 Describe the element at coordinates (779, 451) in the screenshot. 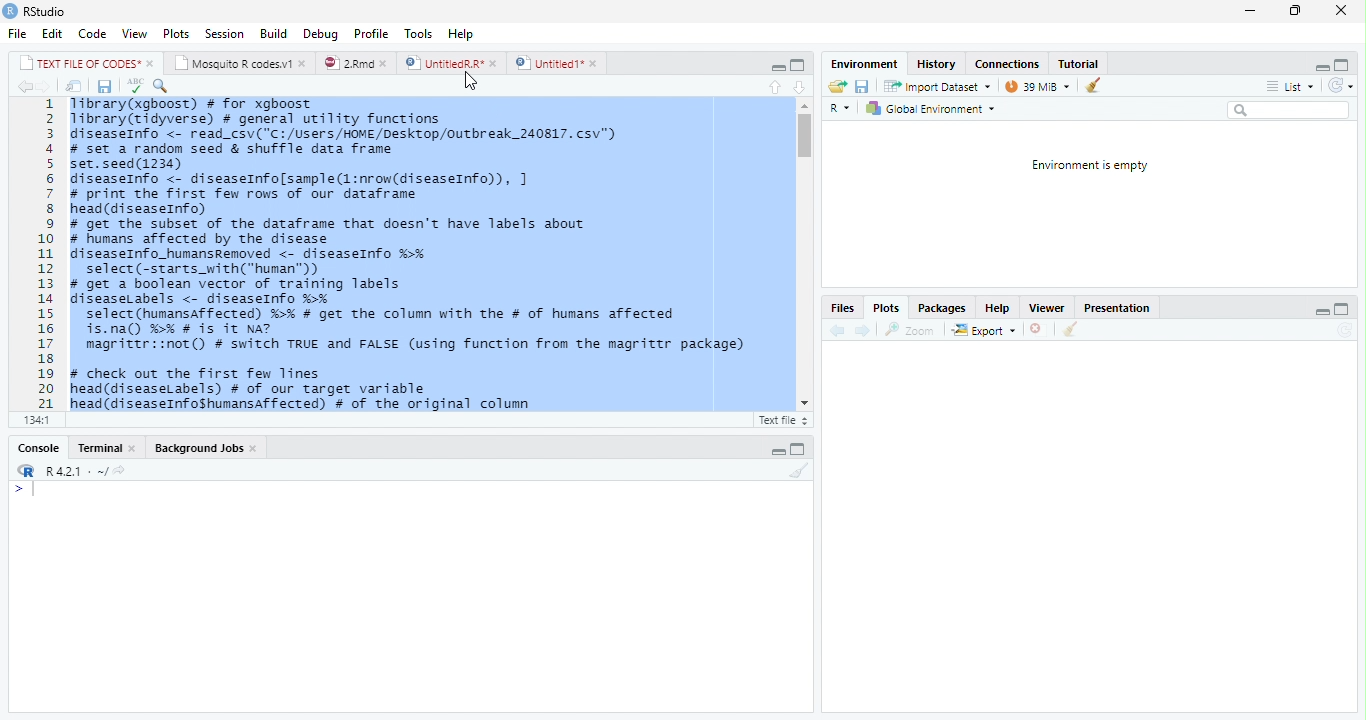

I see `Minimize` at that location.